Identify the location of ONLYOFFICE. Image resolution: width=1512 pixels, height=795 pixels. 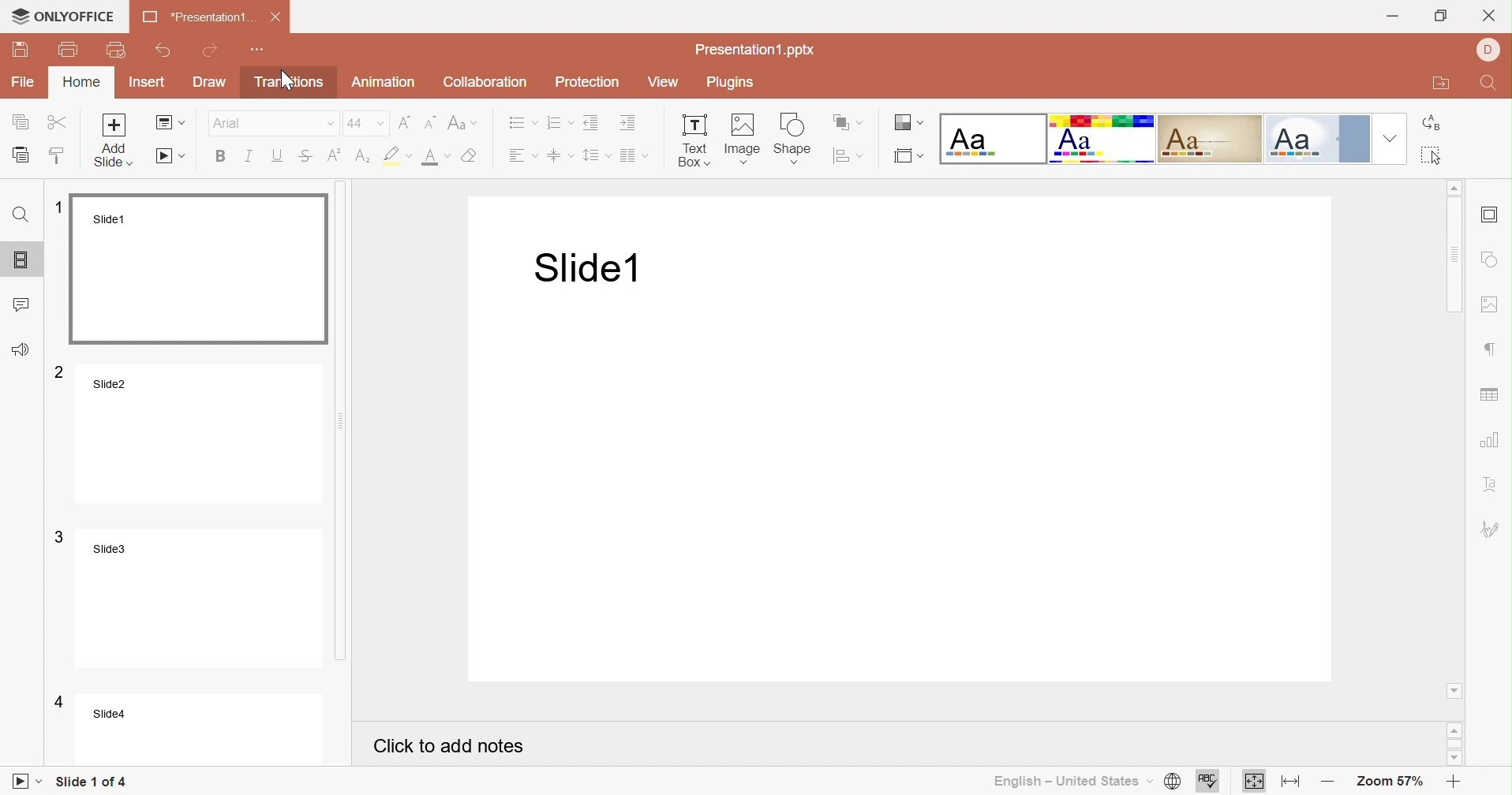
(61, 13).